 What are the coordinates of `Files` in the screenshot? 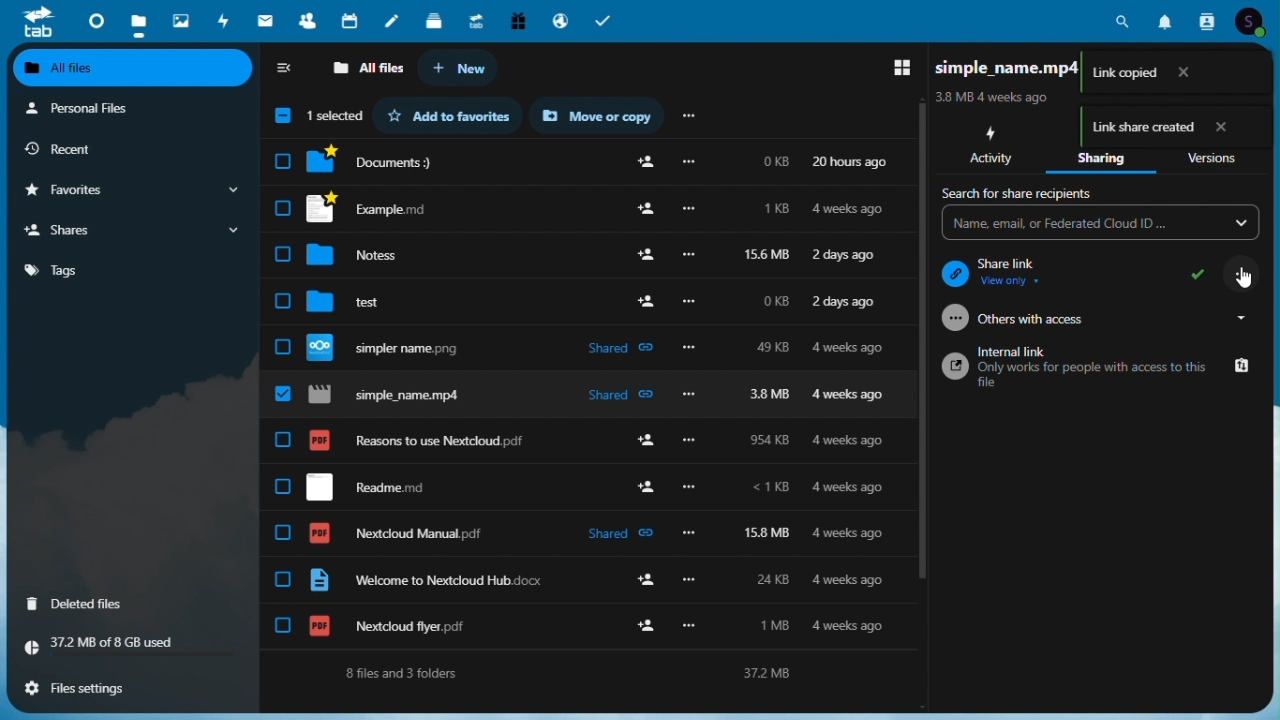 It's located at (587, 252).